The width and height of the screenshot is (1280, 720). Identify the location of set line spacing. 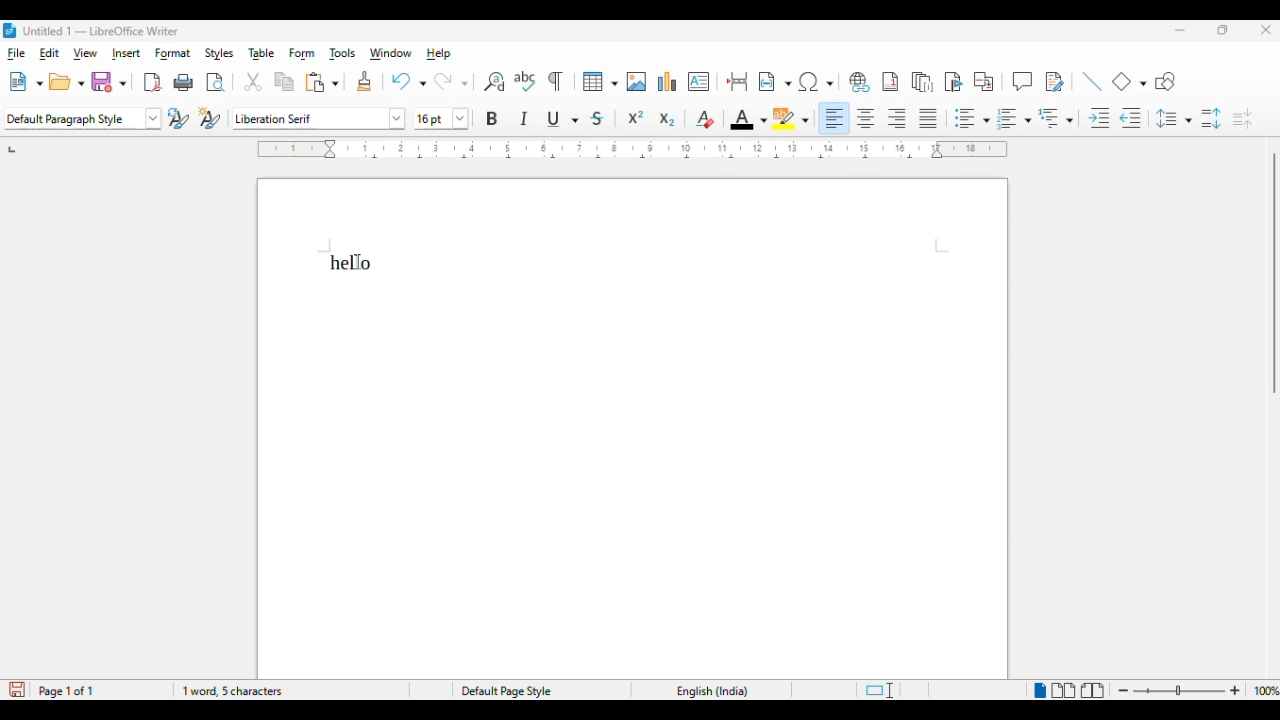
(1174, 118).